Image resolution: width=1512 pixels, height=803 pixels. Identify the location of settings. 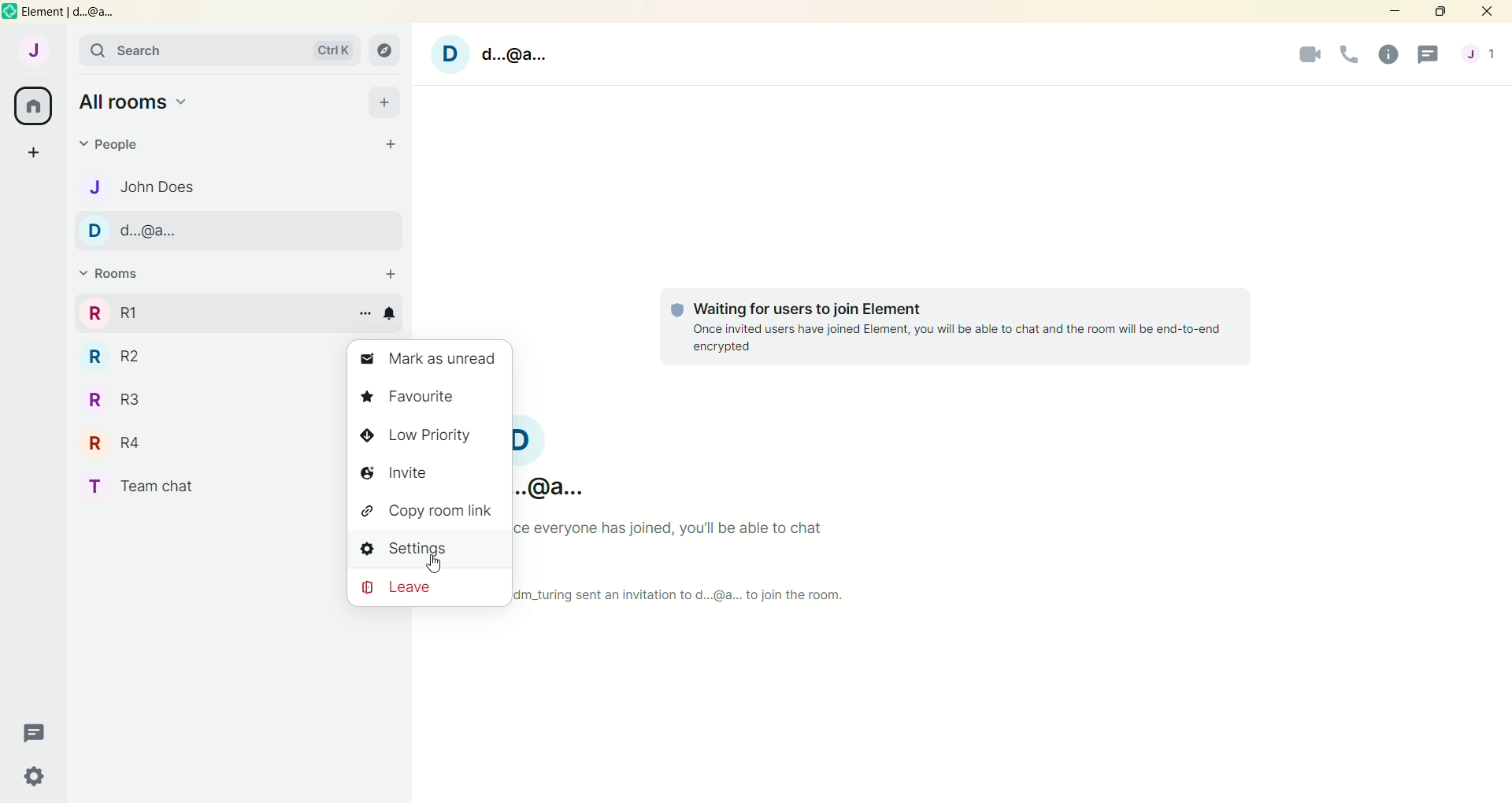
(428, 553).